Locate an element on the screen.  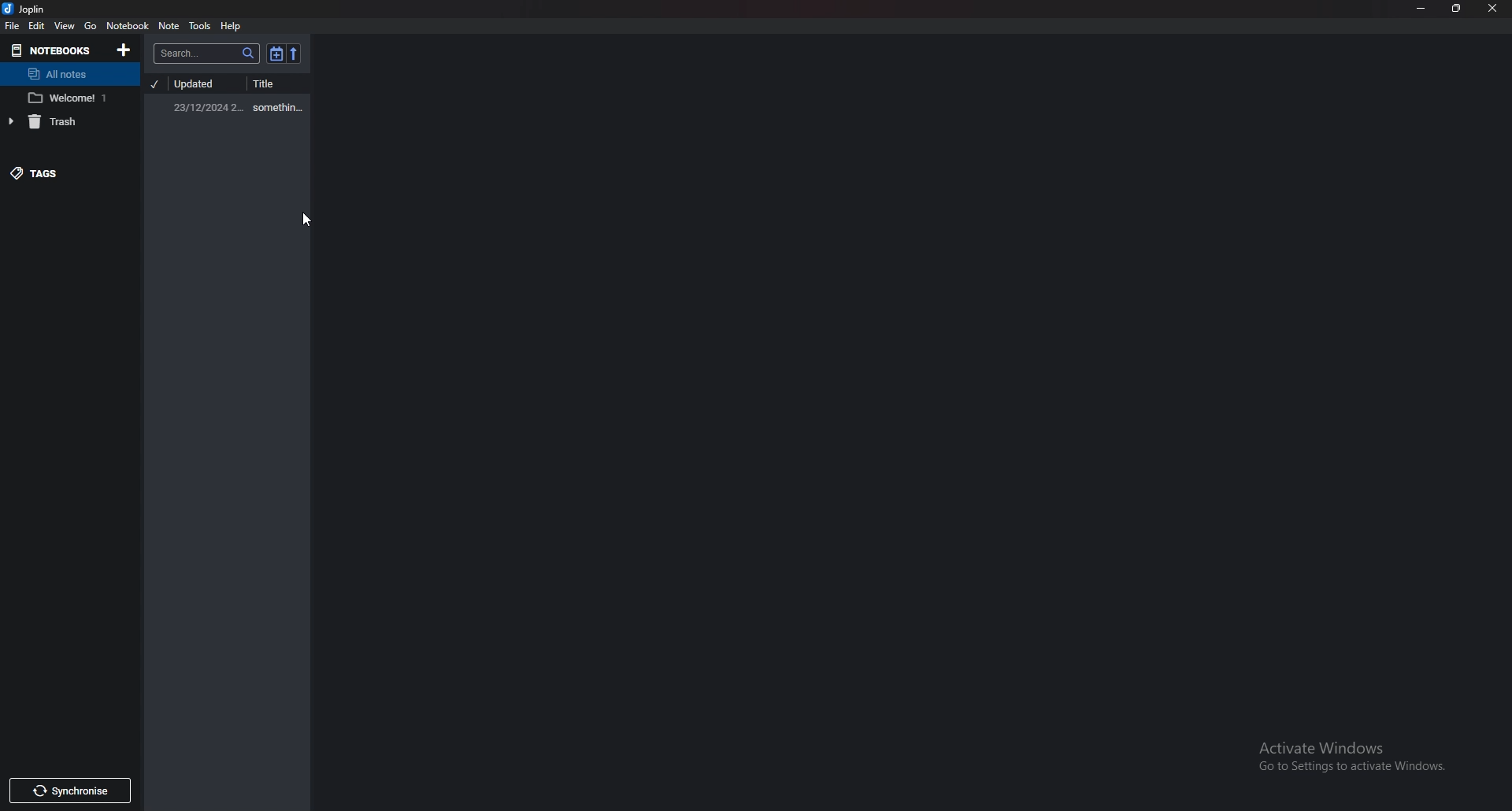
Check is located at coordinates (155, 84).